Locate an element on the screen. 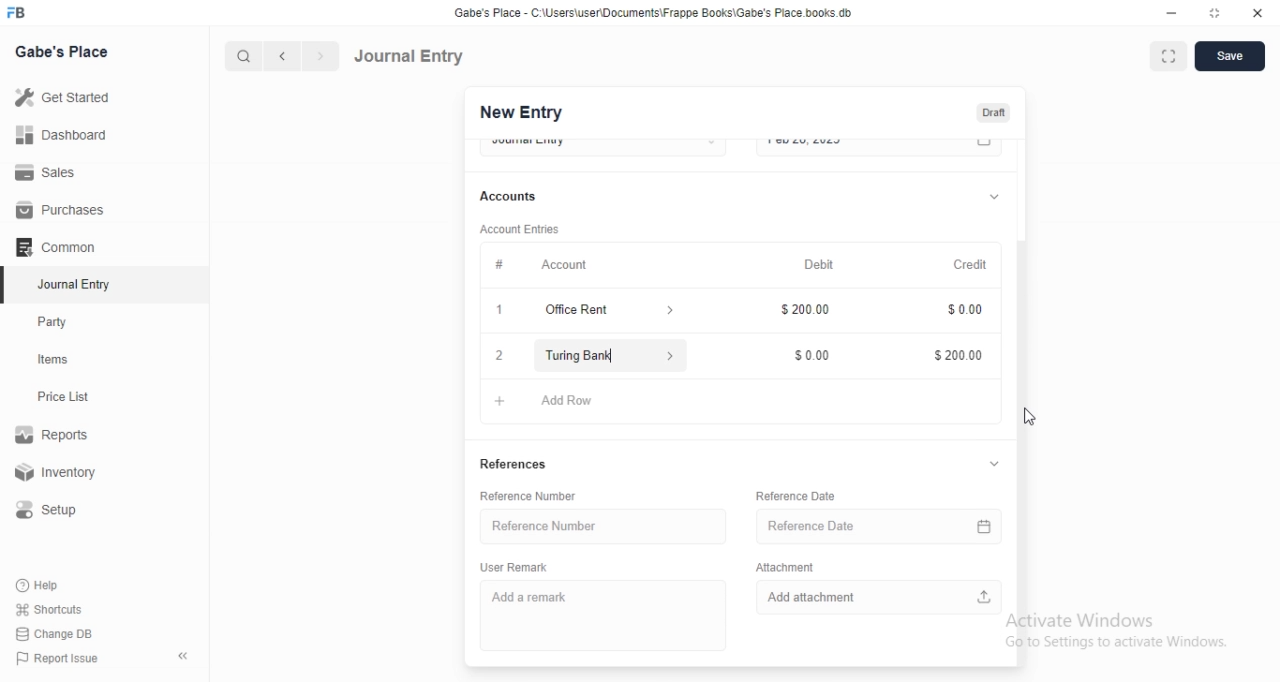 The height and width of the screenshot is (682, 1280). Reference Date is located at coordinates (873, 527).